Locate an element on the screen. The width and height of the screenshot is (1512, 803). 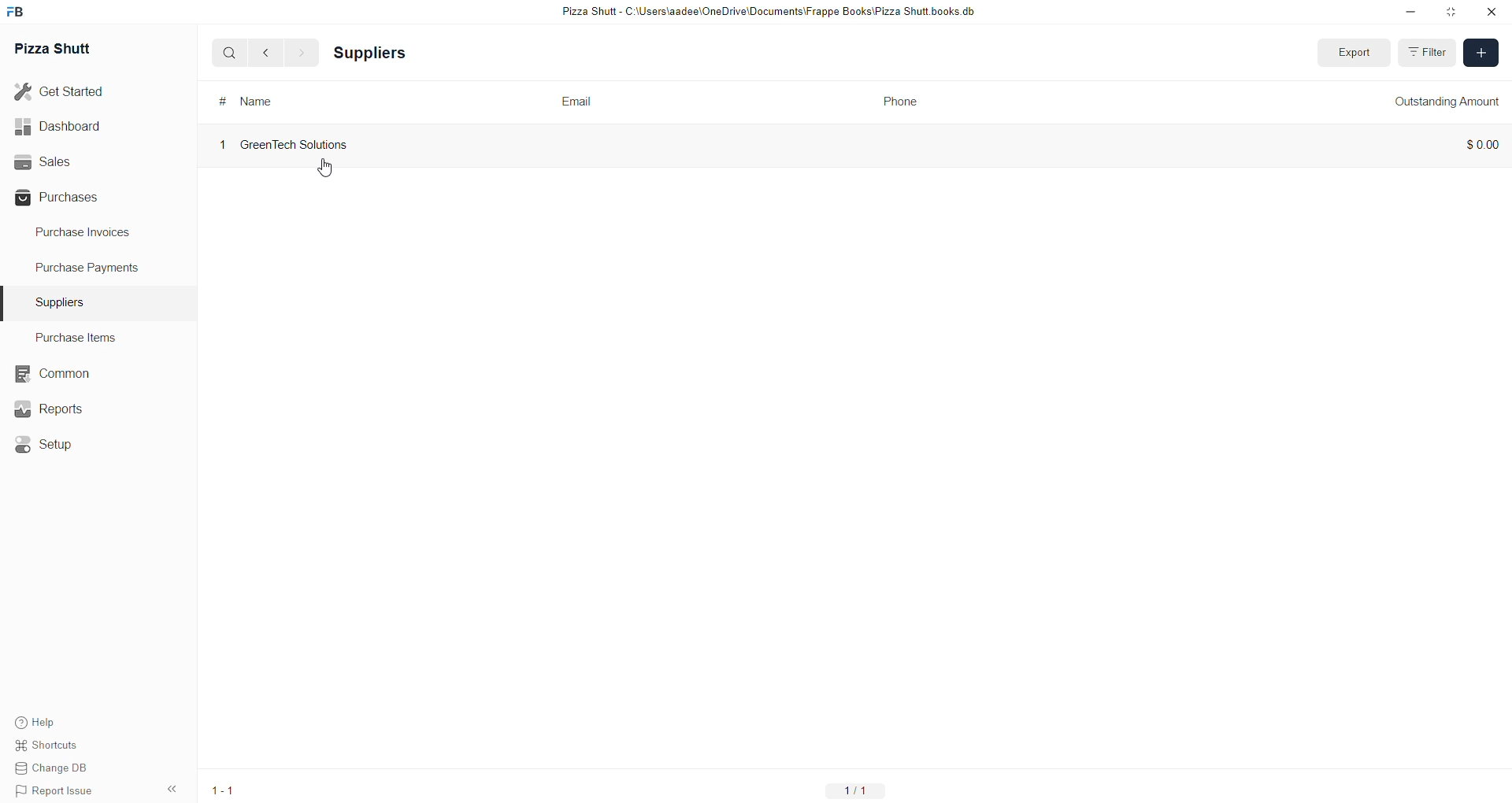
hide is located at coordinates (171, 790).